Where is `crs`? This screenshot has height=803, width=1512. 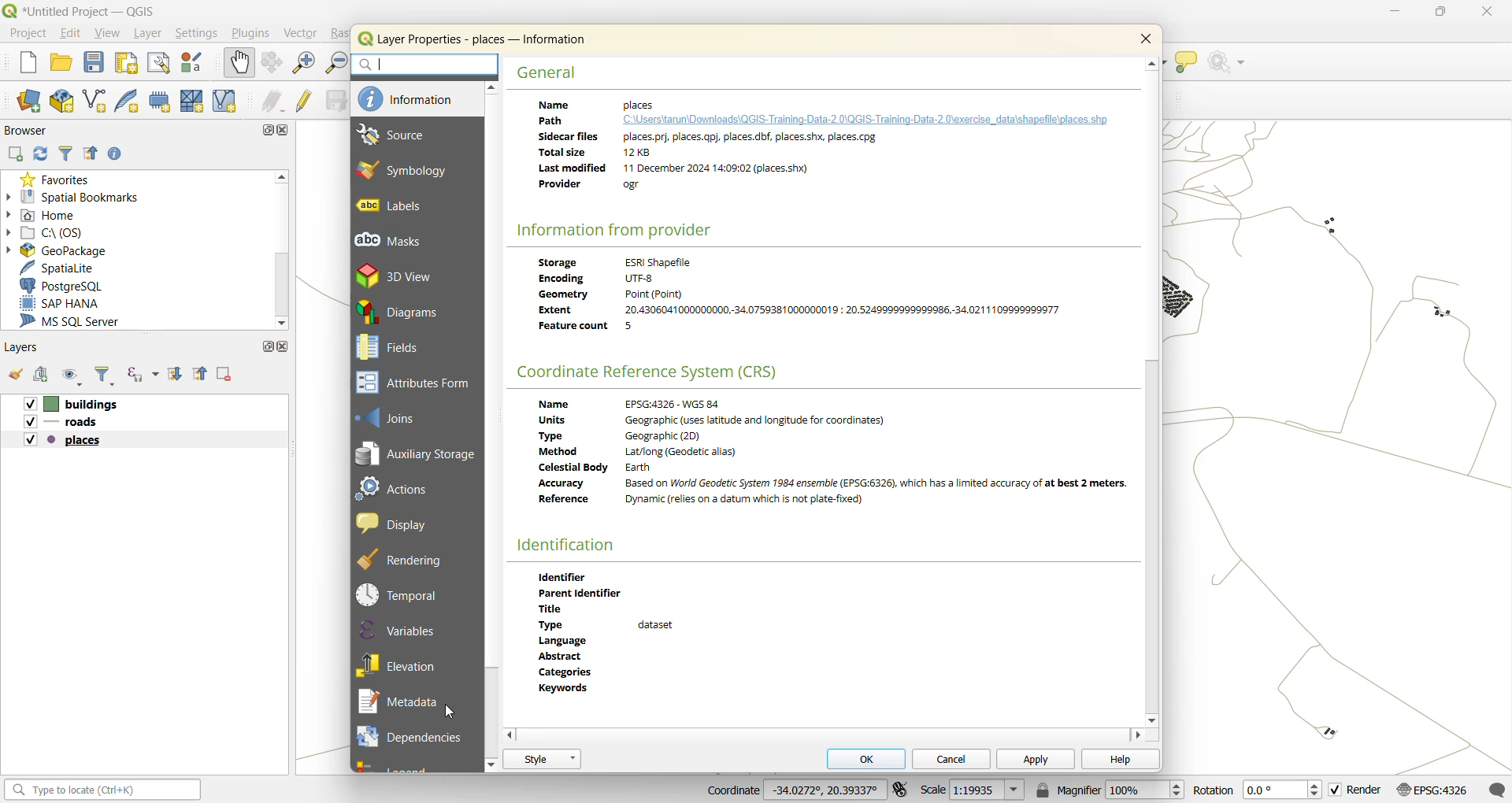
crs is located at coordinates (655, 371).